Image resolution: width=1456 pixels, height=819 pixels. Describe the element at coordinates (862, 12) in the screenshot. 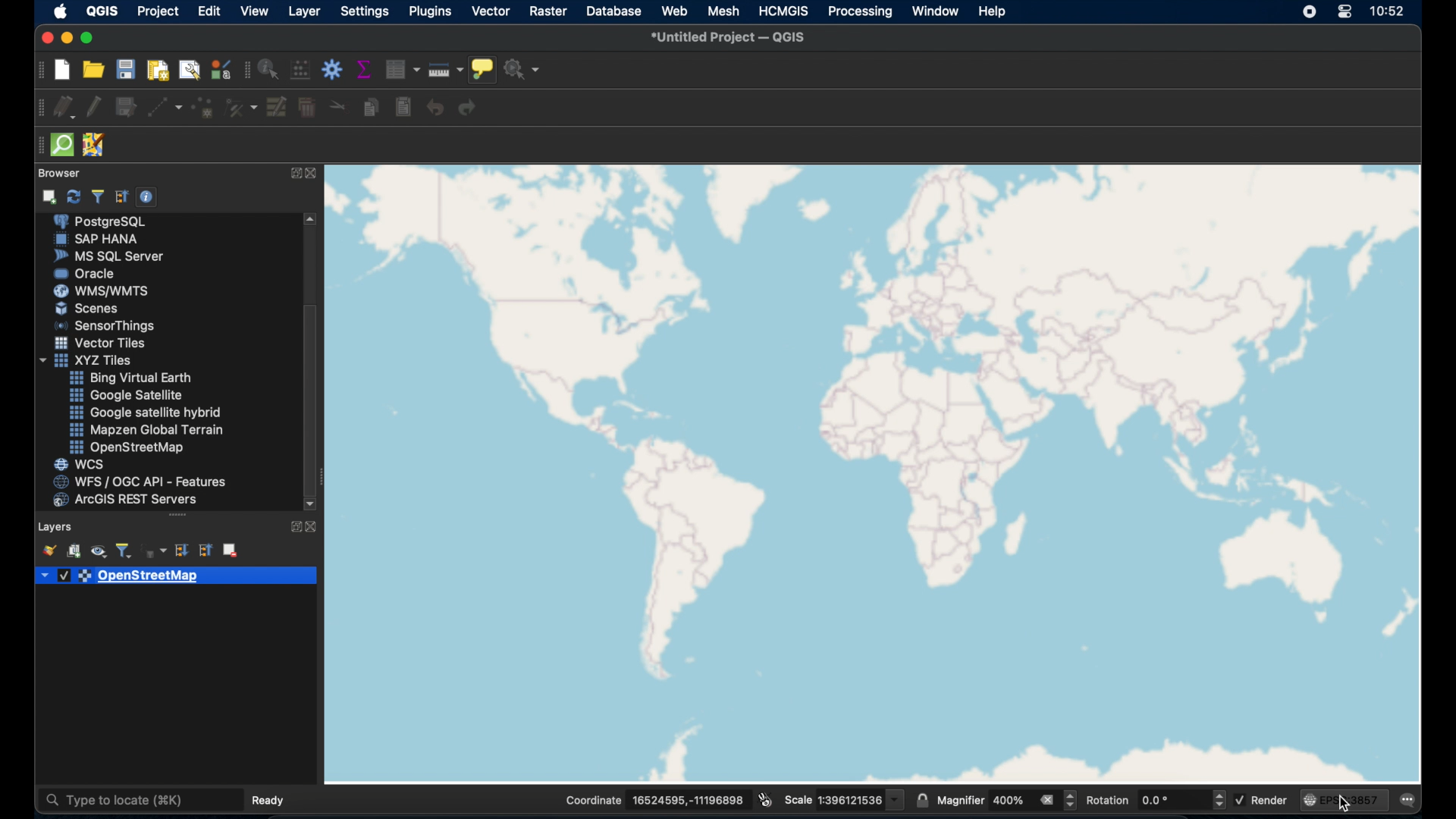

I see `processing` at that location.